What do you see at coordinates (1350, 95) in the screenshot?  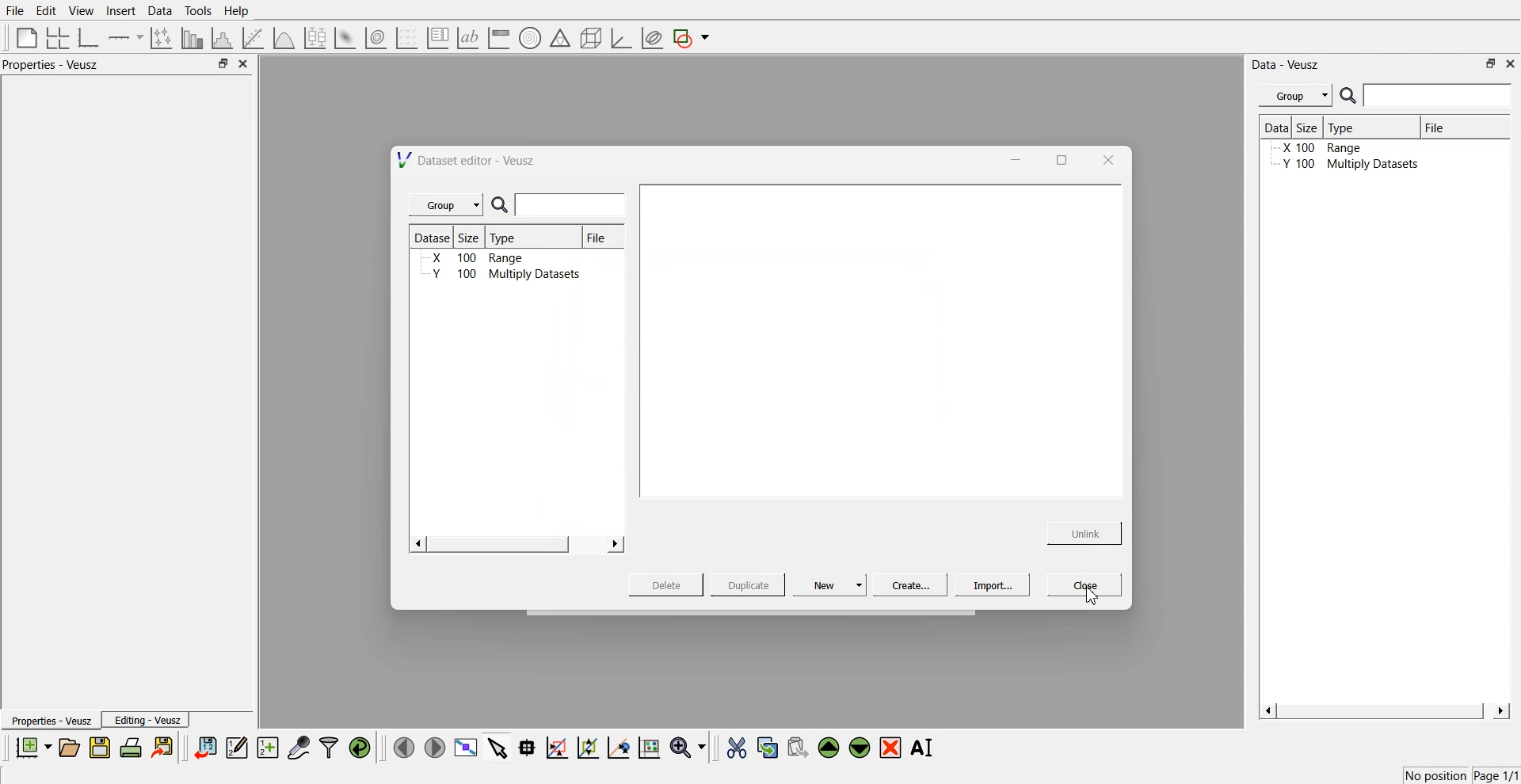 I see `search icon` at bounding box center [1350, 95].